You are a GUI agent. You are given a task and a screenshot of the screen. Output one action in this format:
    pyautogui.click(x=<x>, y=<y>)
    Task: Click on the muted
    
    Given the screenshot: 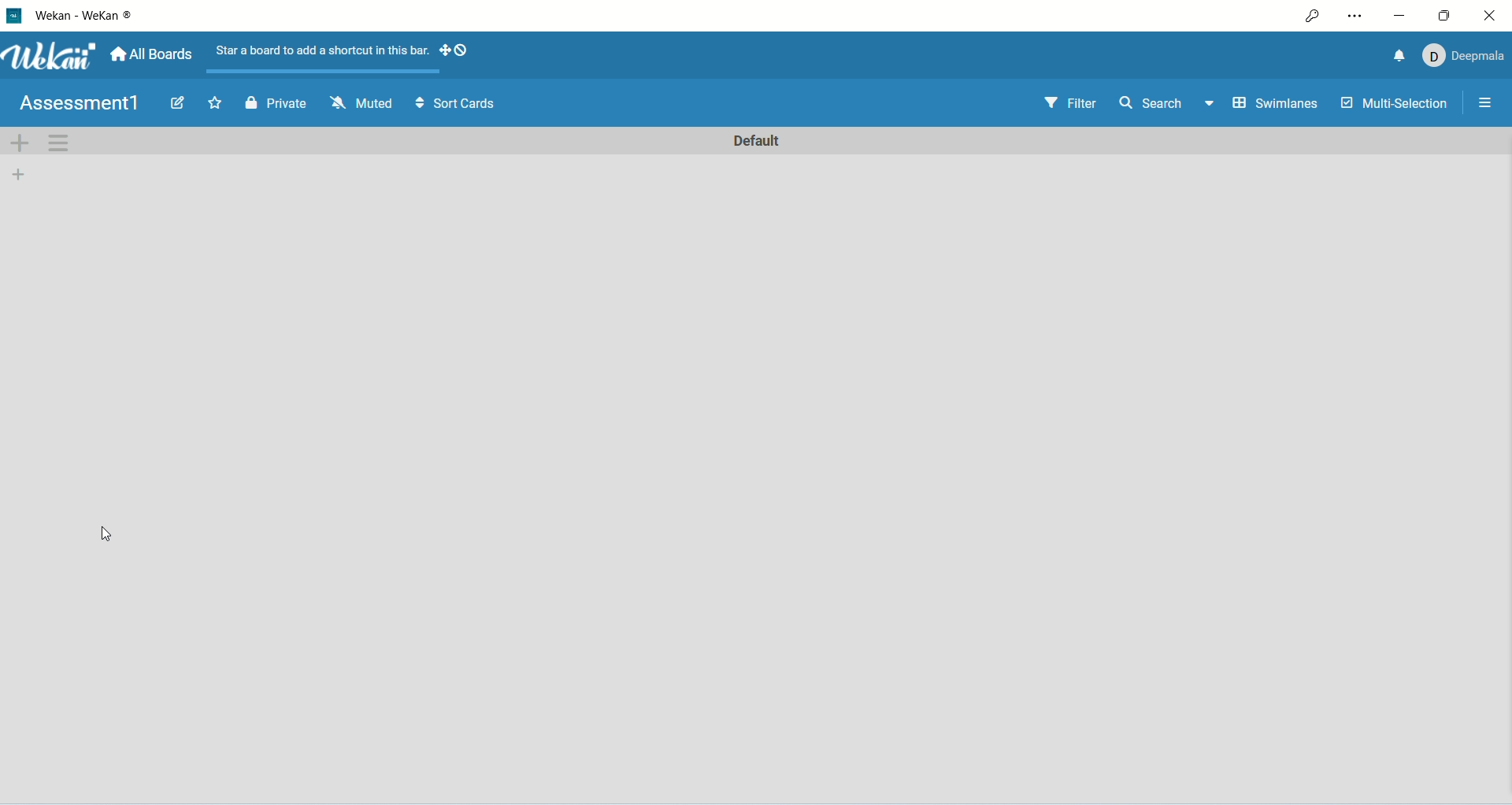 What is the action you would take?
    pyautogui.click(x=358, y=103)
    